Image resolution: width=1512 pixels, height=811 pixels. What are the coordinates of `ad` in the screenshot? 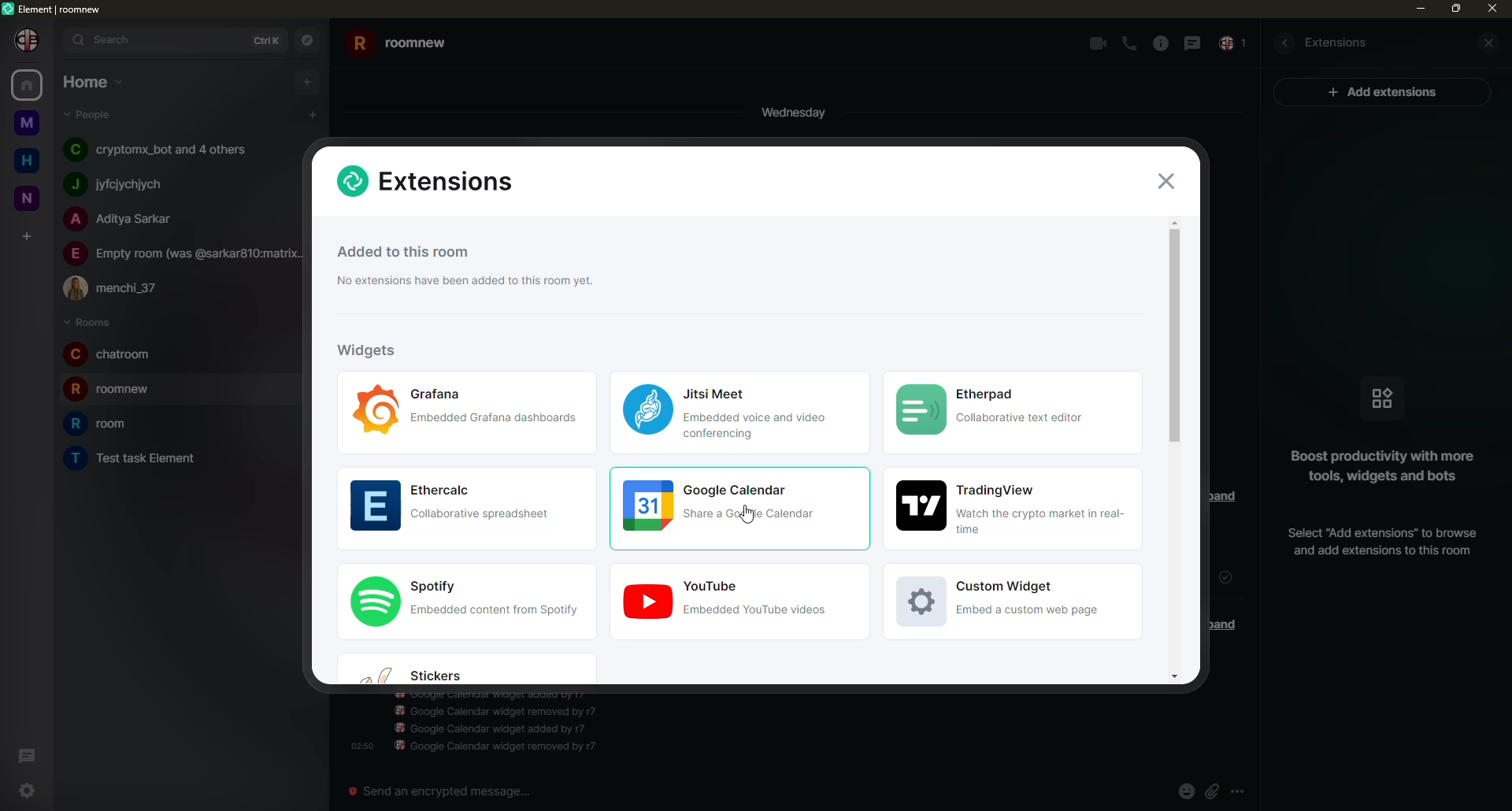 It's located at (1389, 93).